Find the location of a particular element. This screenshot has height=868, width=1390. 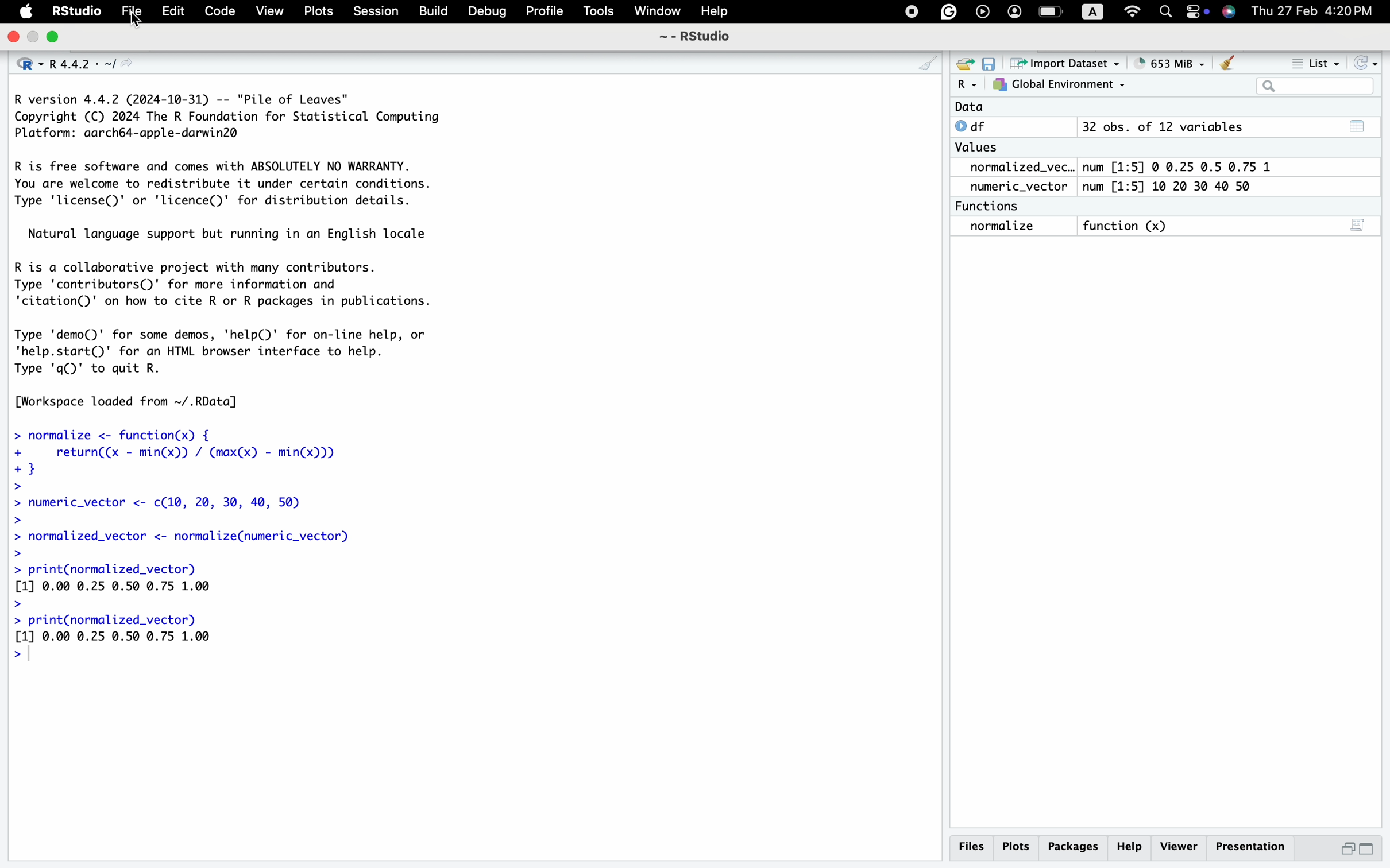

Edit is located at coordinates (173, 12).